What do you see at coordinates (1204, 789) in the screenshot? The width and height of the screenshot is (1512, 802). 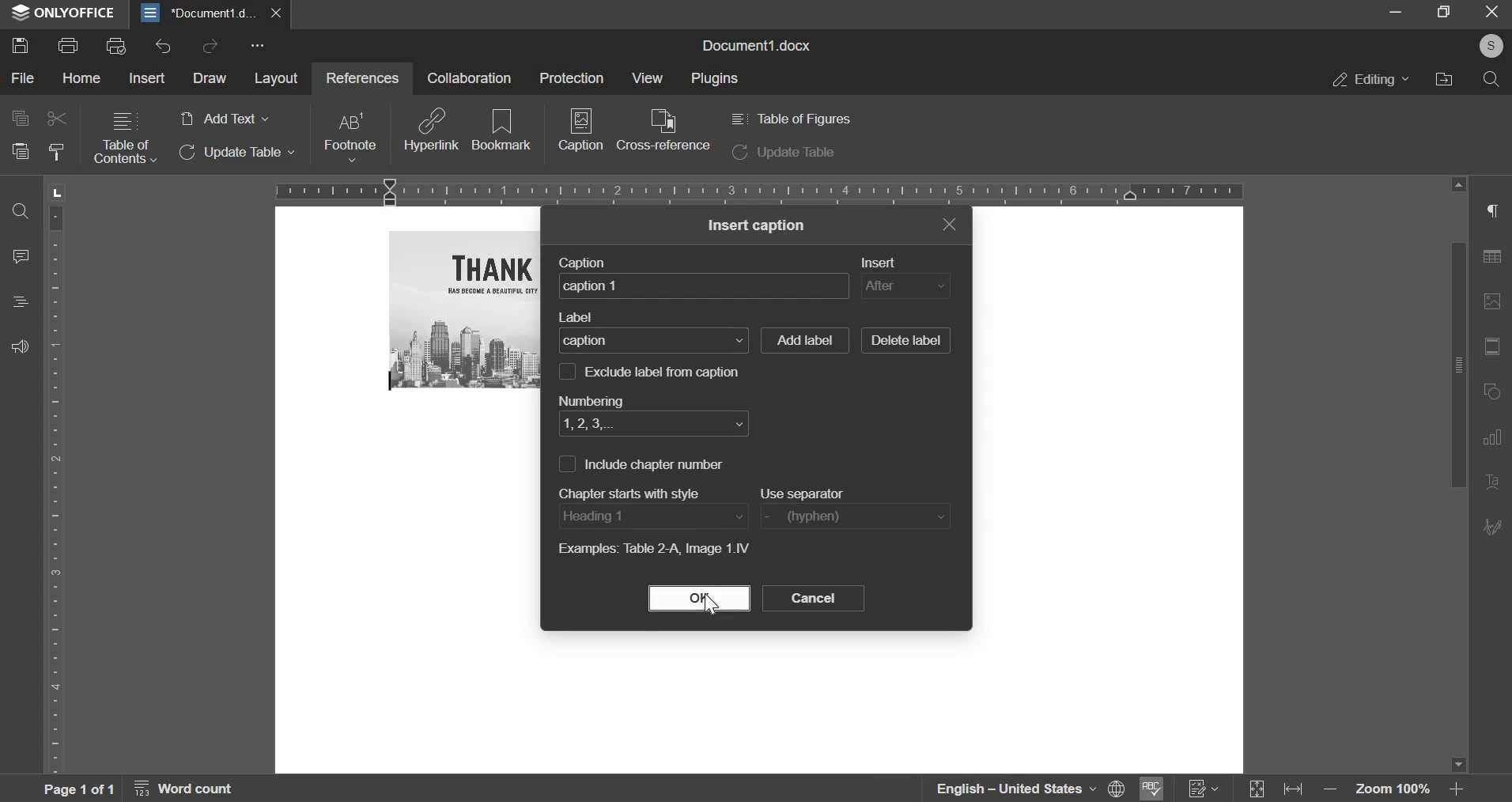 I see `Track Changes` at bounding box center [1204, 789].